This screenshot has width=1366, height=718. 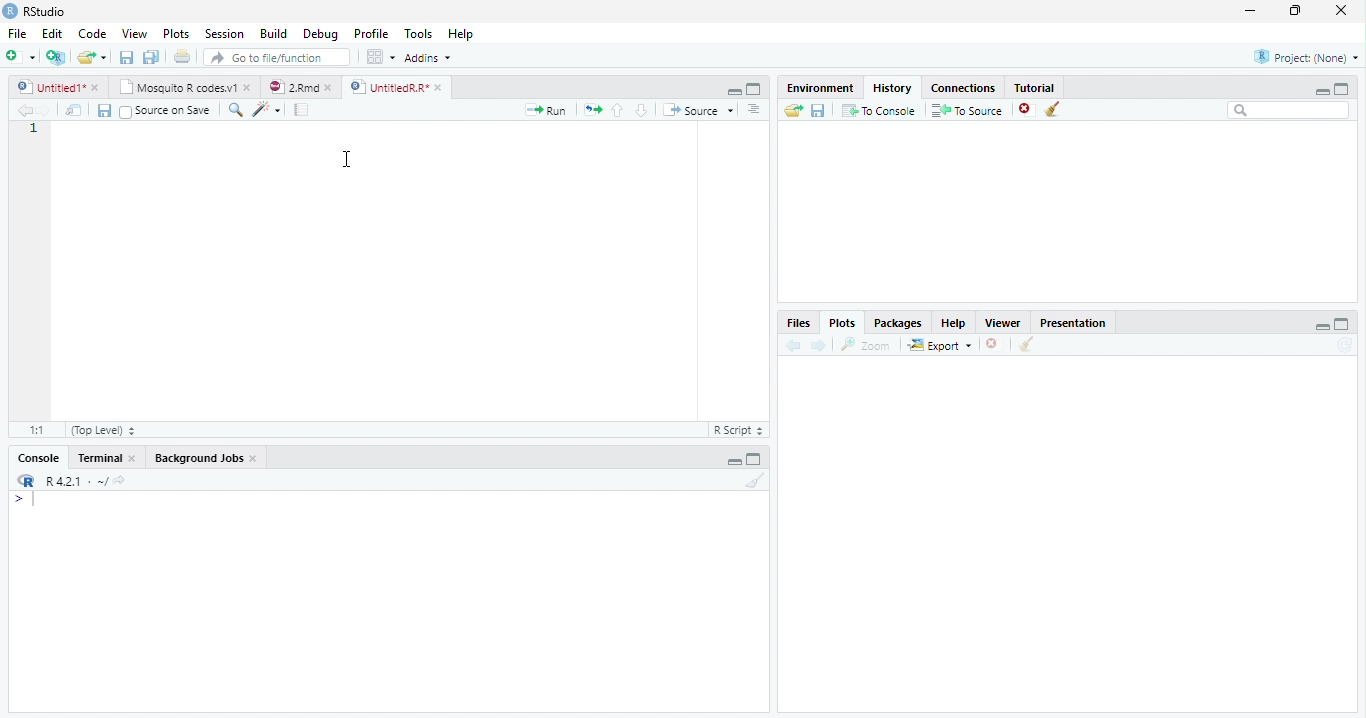 I want to click on Edit, so click(x=53, y=33).